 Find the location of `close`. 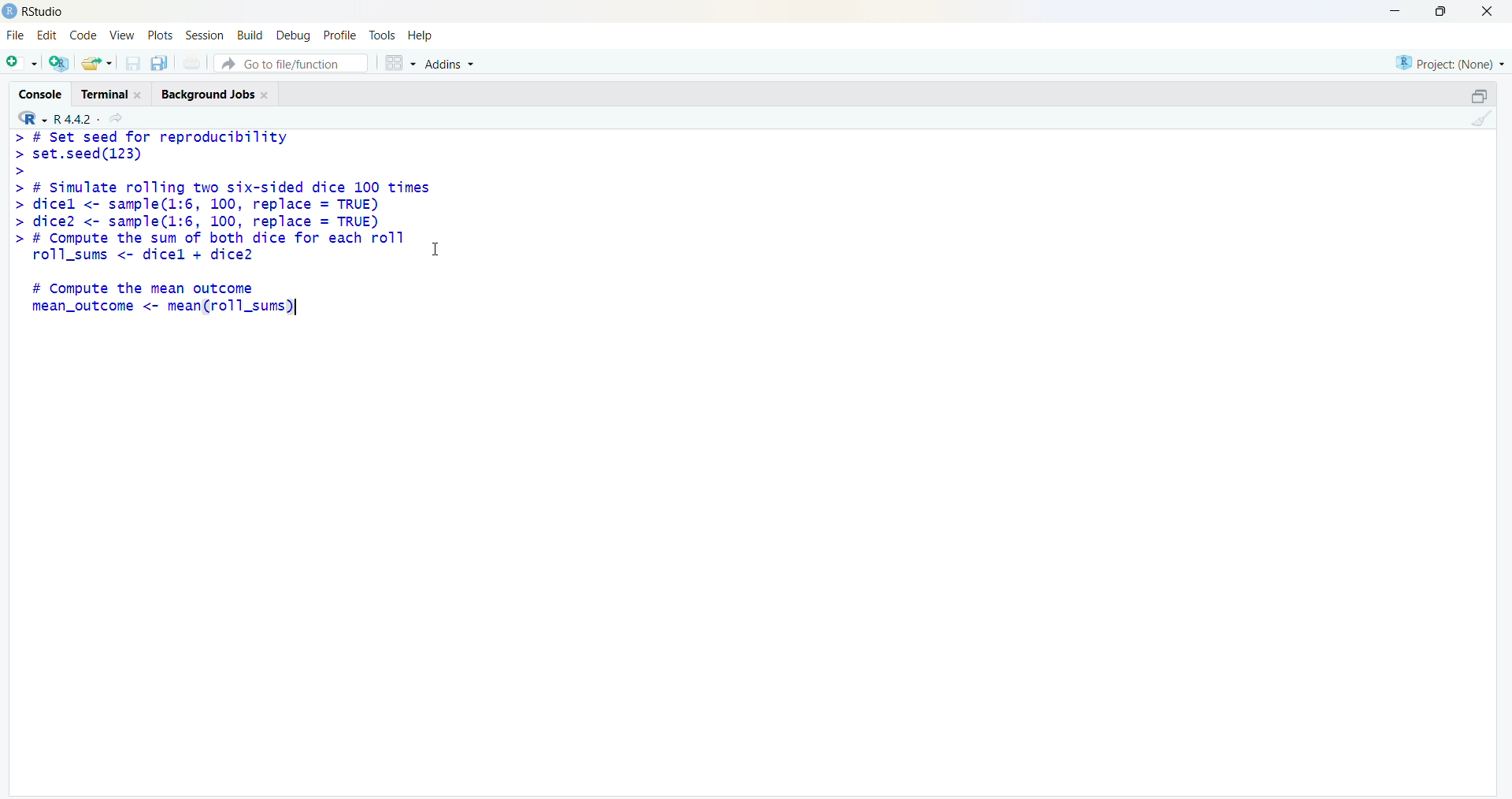

close is located at coordinates (139, 95).